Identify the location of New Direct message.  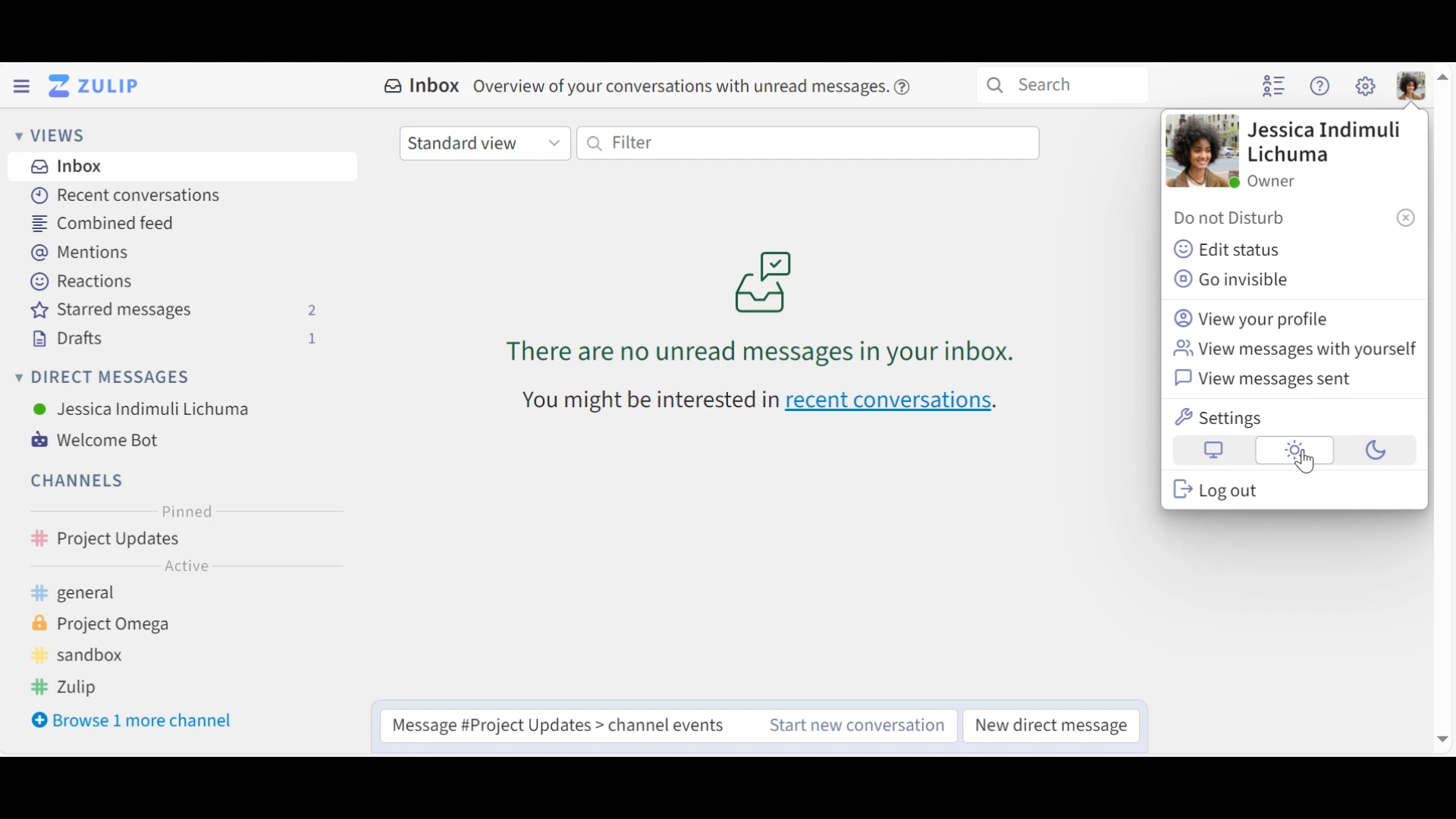
(1050, 726).